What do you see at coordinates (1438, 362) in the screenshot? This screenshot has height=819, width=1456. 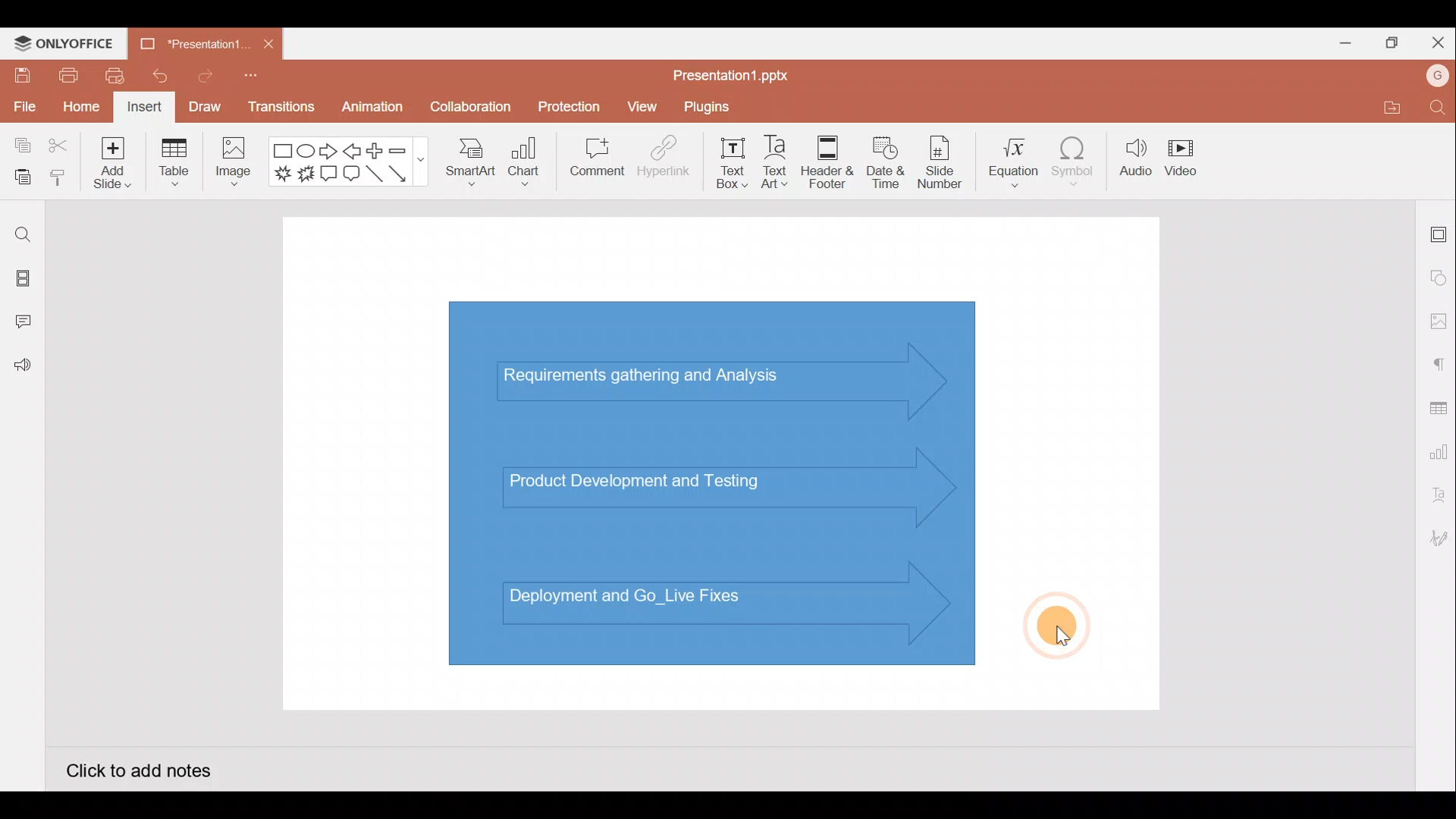 I see `Paragraph settings` at bounding box center [1438, 362].